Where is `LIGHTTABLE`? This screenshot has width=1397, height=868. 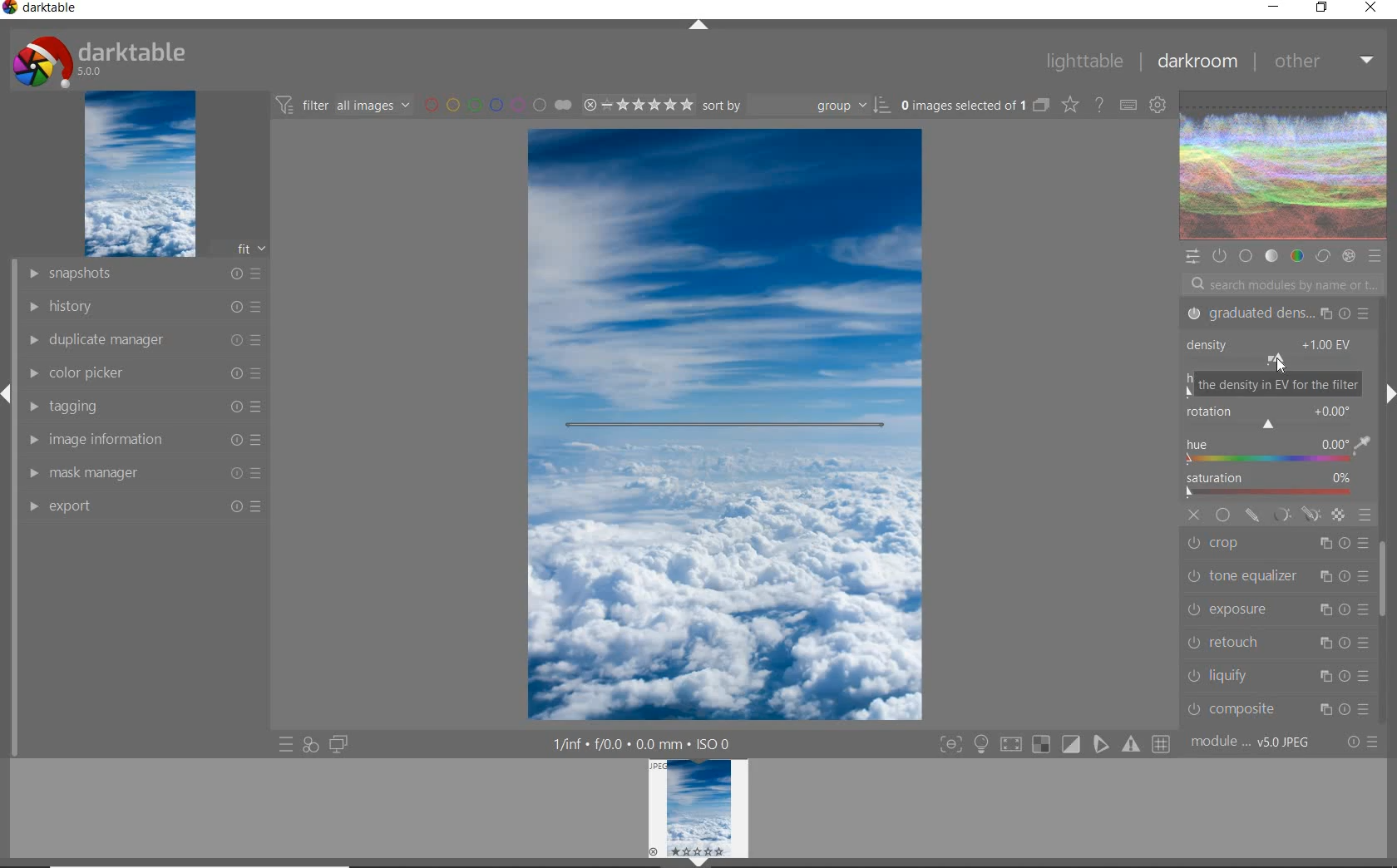 LIGHTTABLE is located at coordinates (1083, 60).